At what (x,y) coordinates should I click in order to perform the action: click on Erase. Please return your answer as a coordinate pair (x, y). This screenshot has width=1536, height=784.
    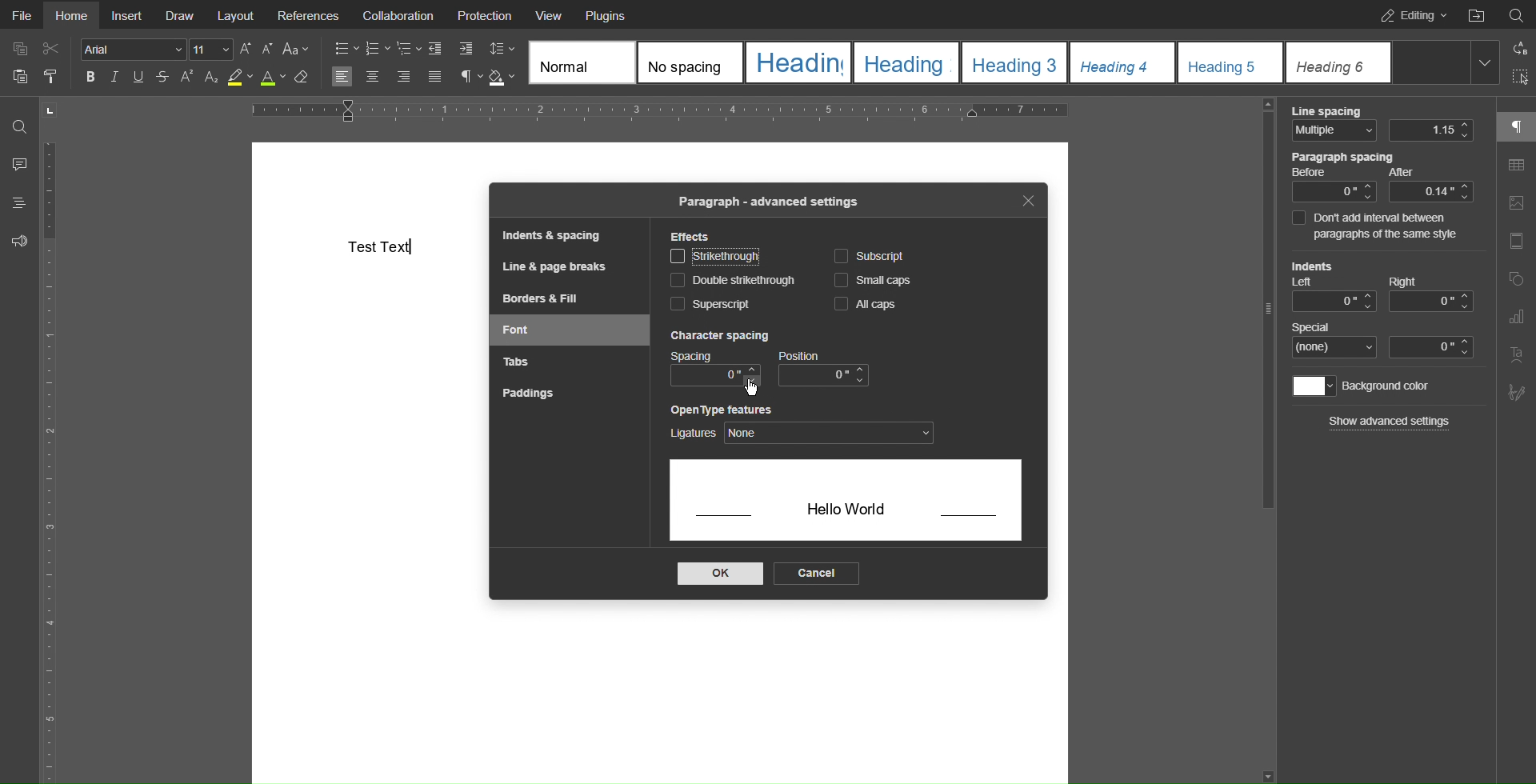
    Looking at the image, I should click on (302, 78).